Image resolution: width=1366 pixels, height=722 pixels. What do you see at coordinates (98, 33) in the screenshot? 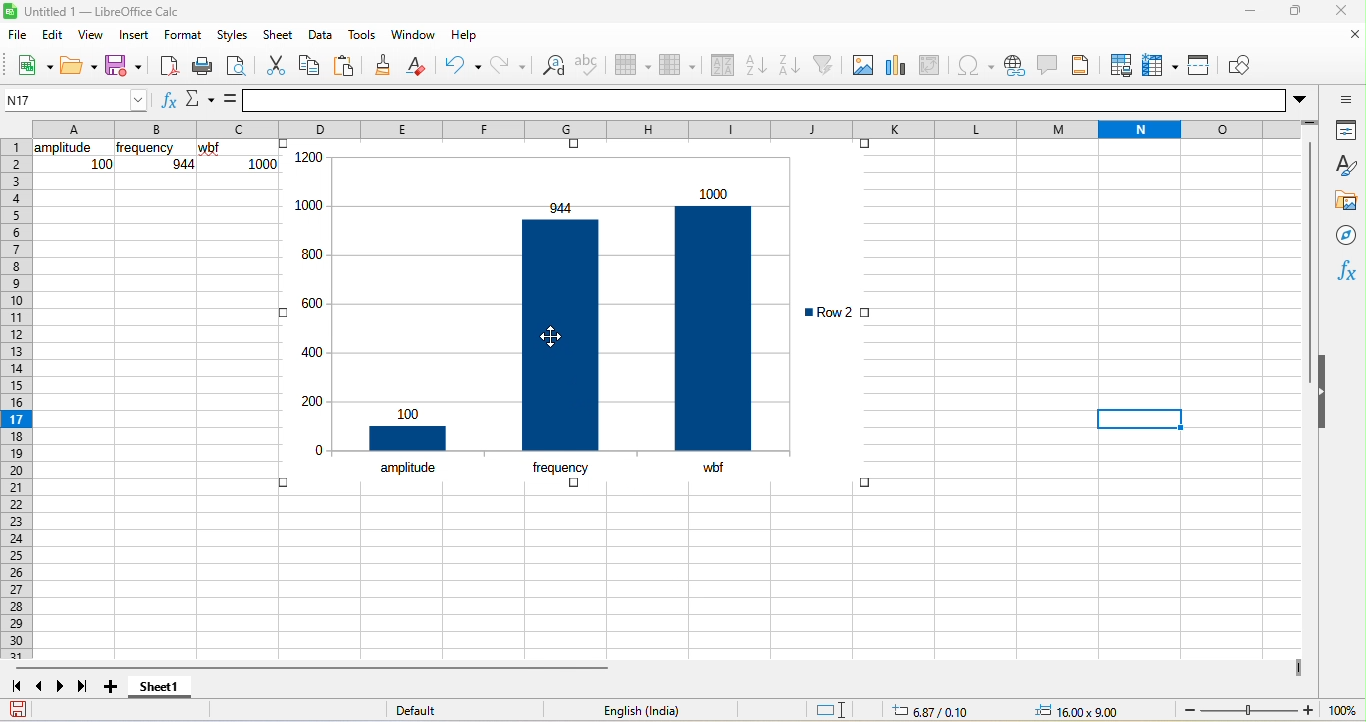
I see `view` at bounding box center [98, 33].